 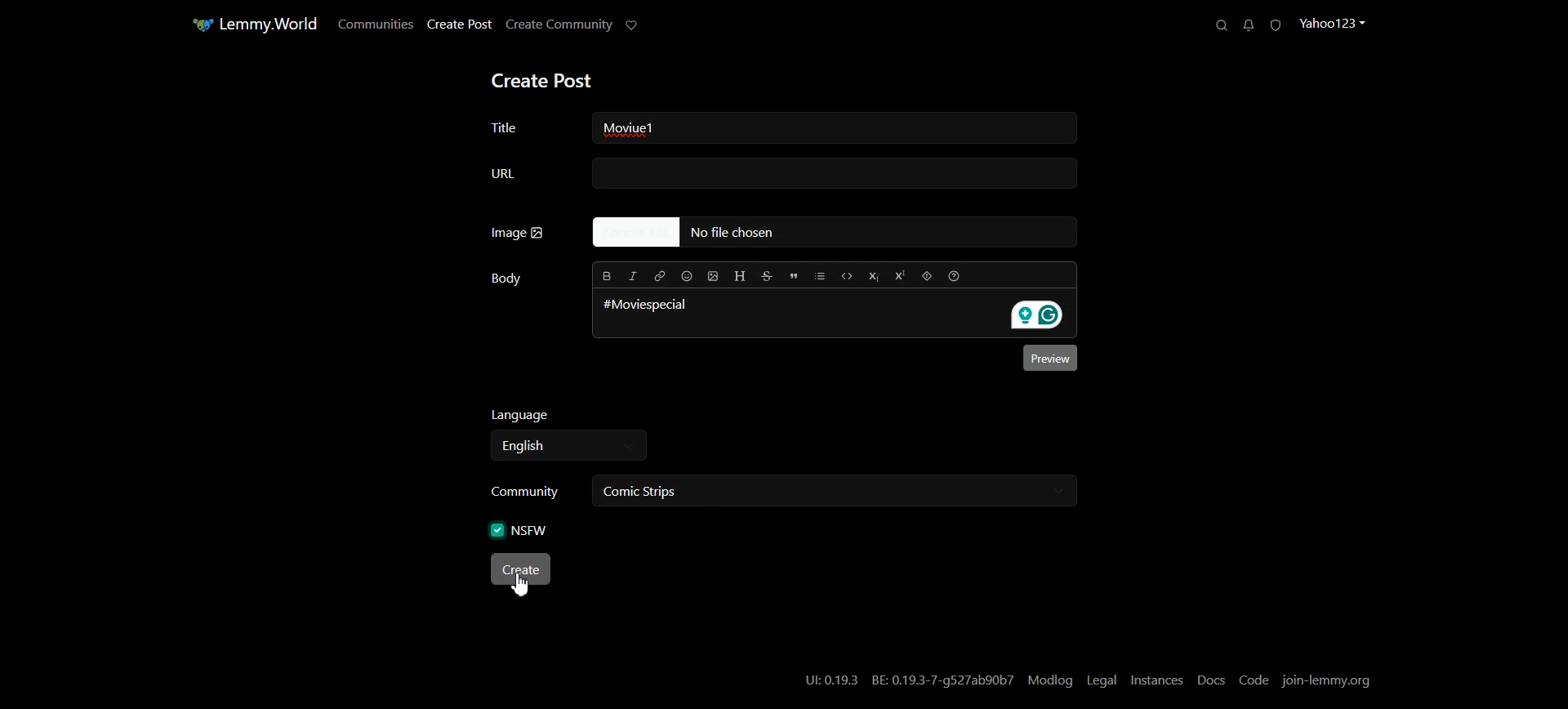 I want to click on Modlog, so click(x=1052, y=680).